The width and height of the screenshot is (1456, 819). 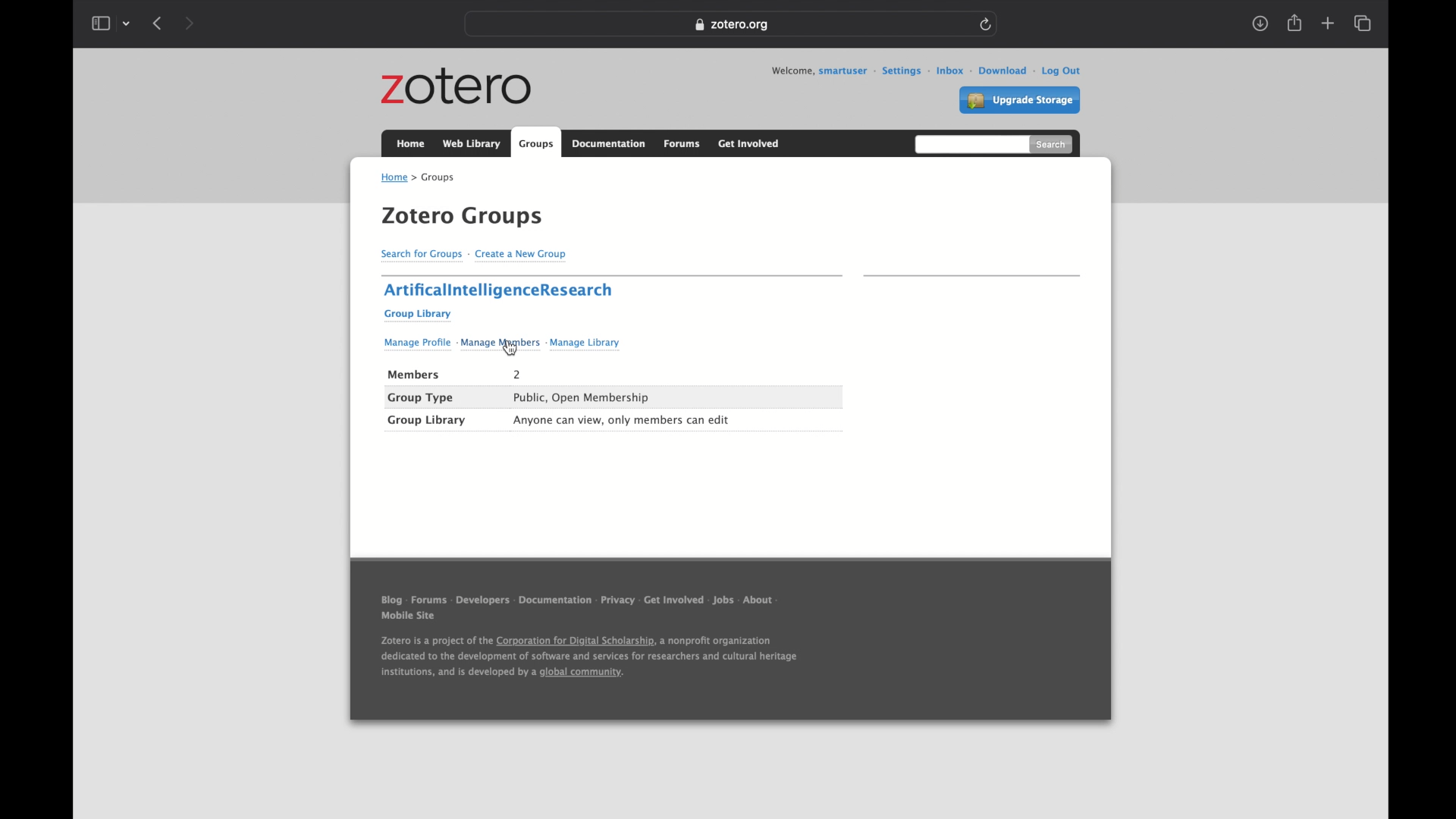 I want to click on zotero, so click(x=457, y=87).